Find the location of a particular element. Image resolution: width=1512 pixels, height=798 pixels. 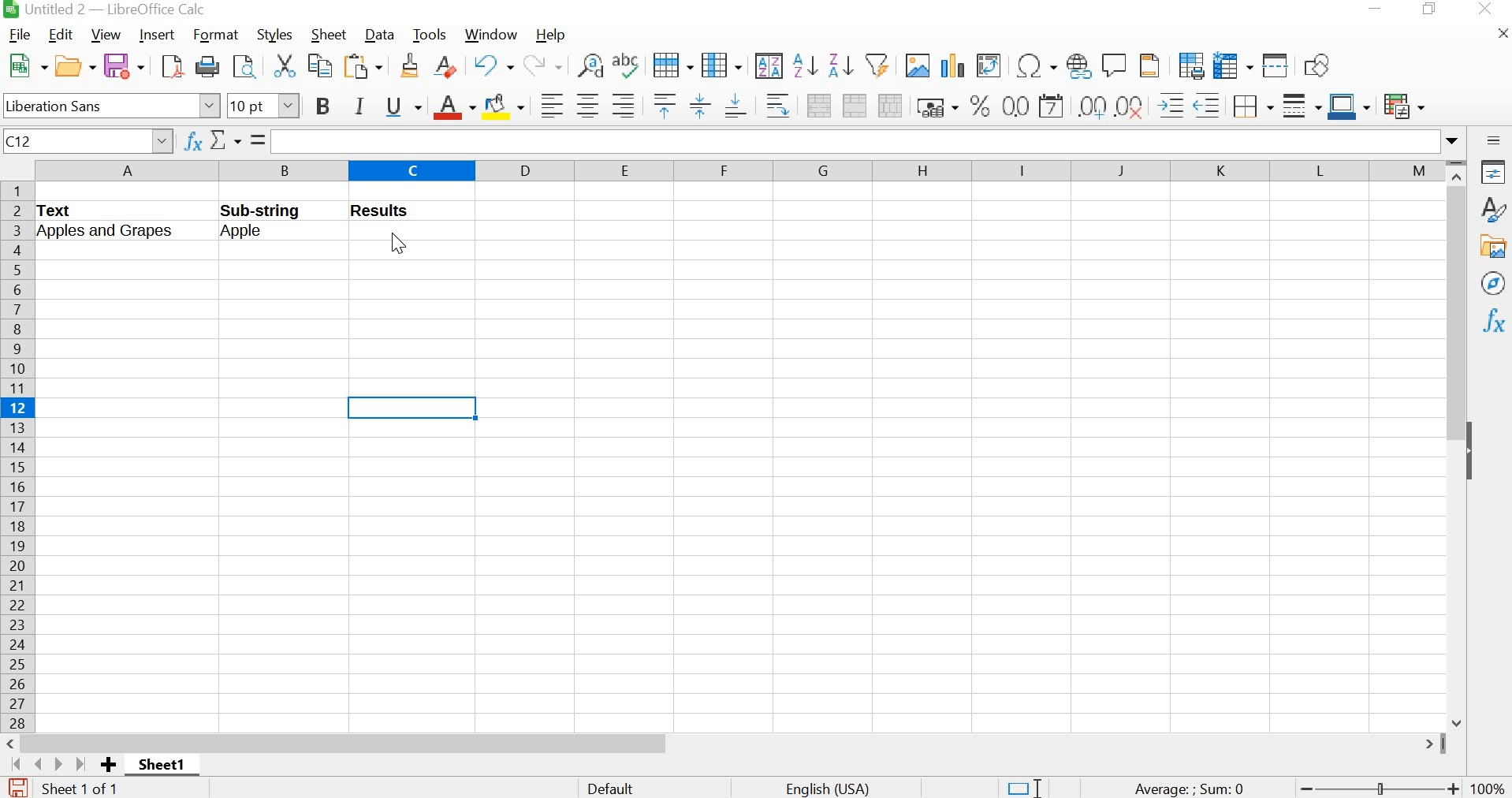

increase indent is located at coordinates (1171, 104).